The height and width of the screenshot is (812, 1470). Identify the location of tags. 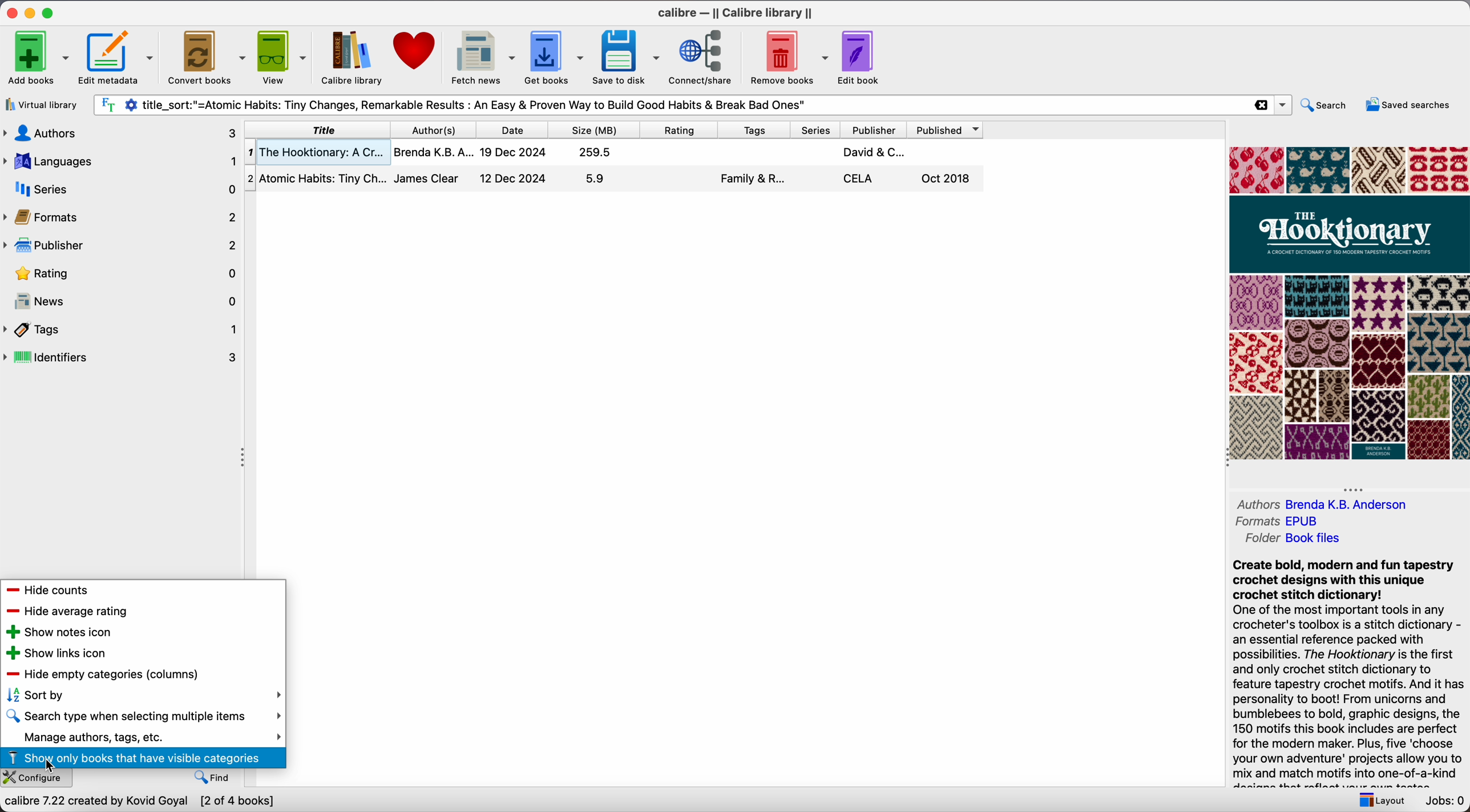
(123, 331).